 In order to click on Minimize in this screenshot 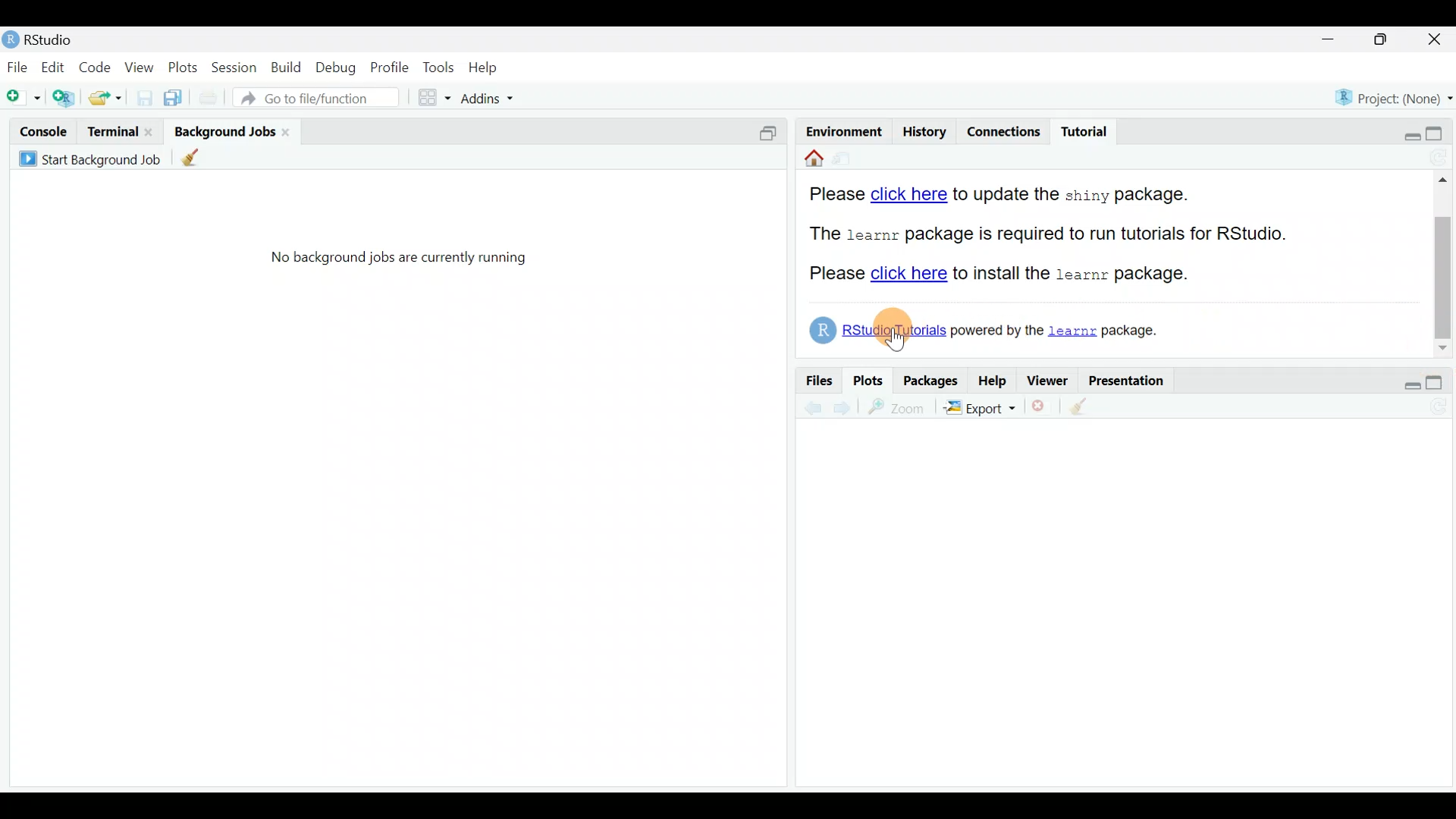, I will do `click(1332, 39)`.